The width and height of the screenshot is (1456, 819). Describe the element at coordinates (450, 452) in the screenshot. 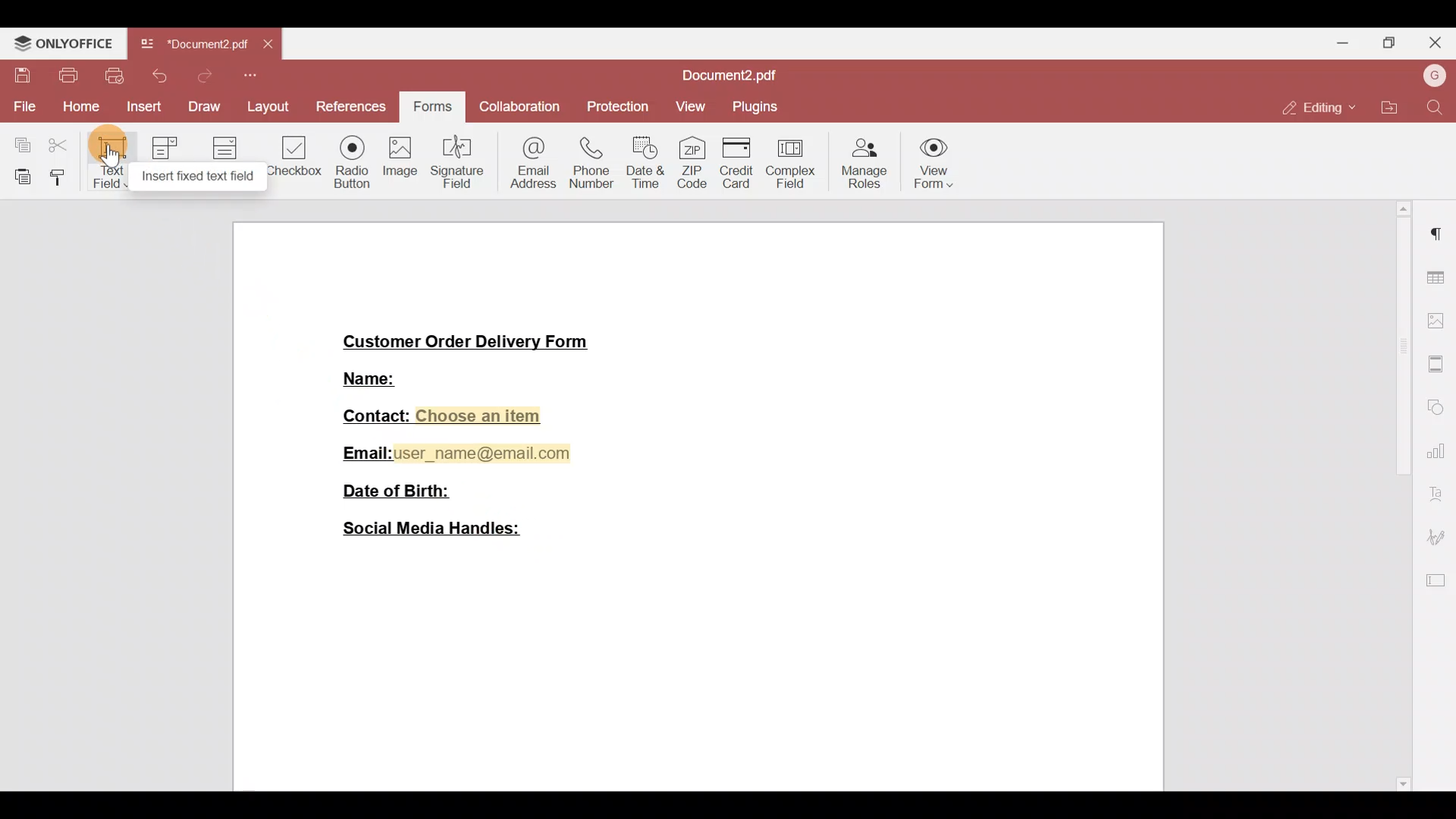

I see `Email:user_name@email.com` at that location.